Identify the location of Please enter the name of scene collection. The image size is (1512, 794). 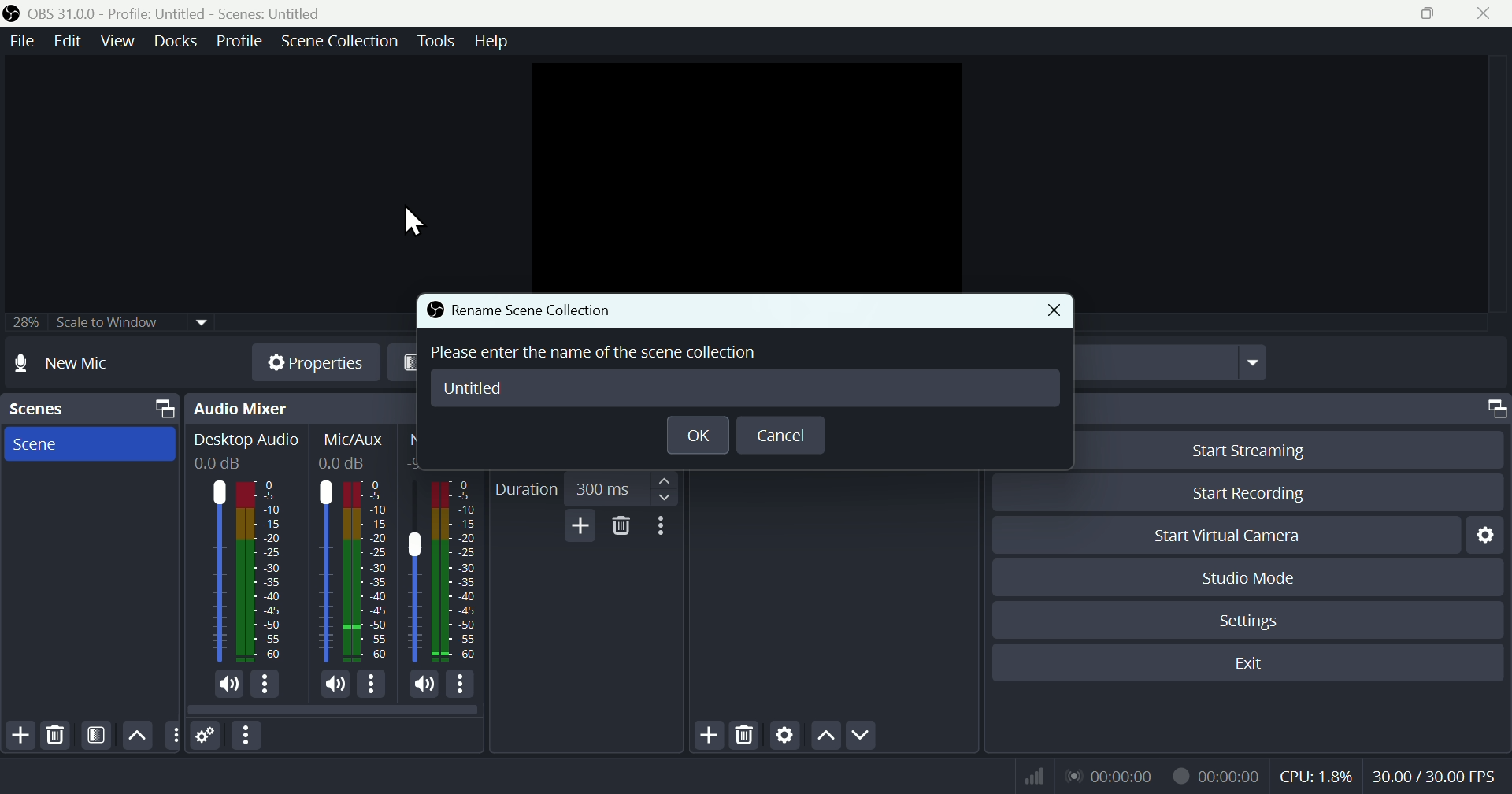
(595, 351).